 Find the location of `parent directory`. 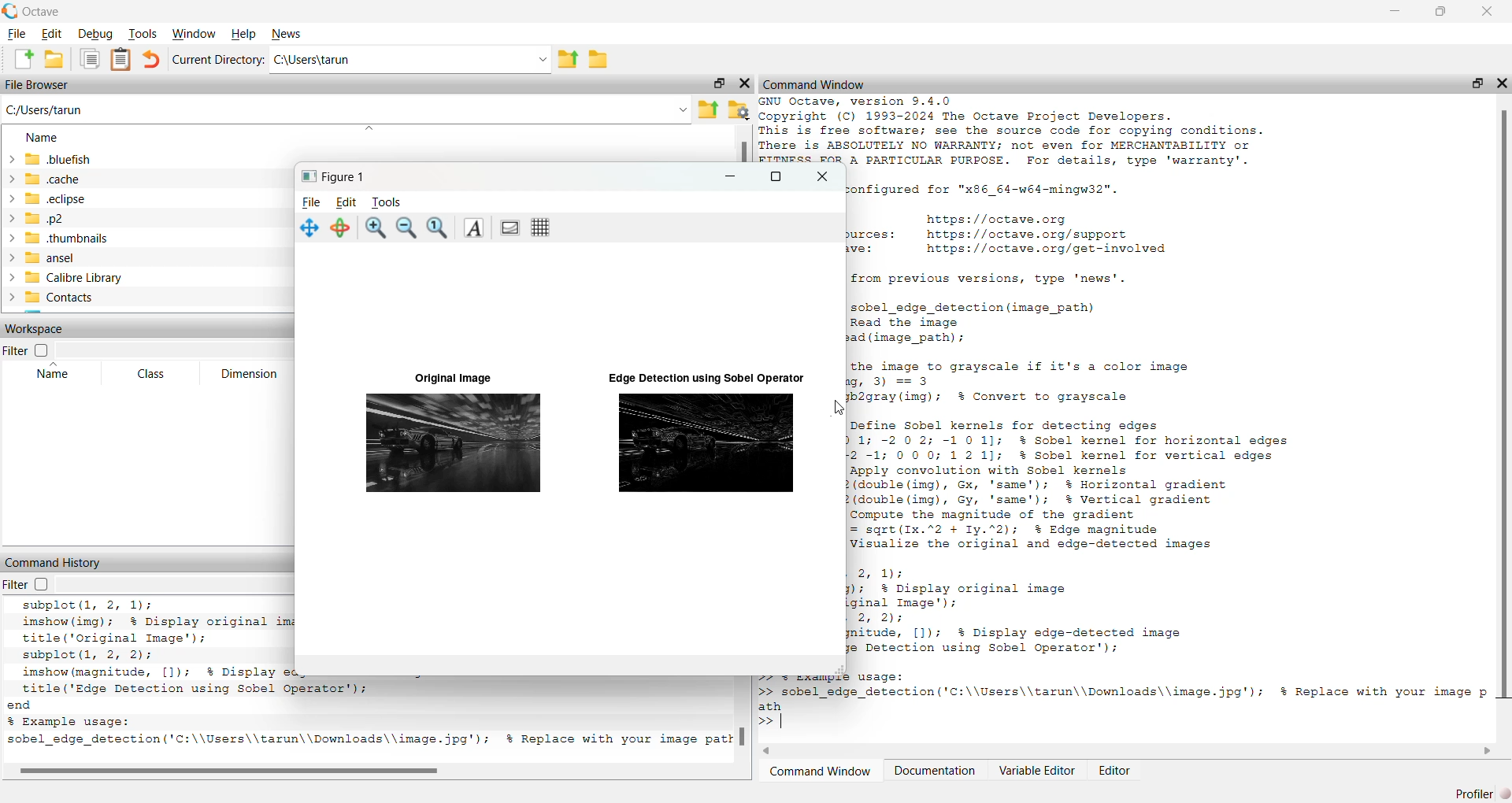

parent directory is located at coordinates (569, 58).